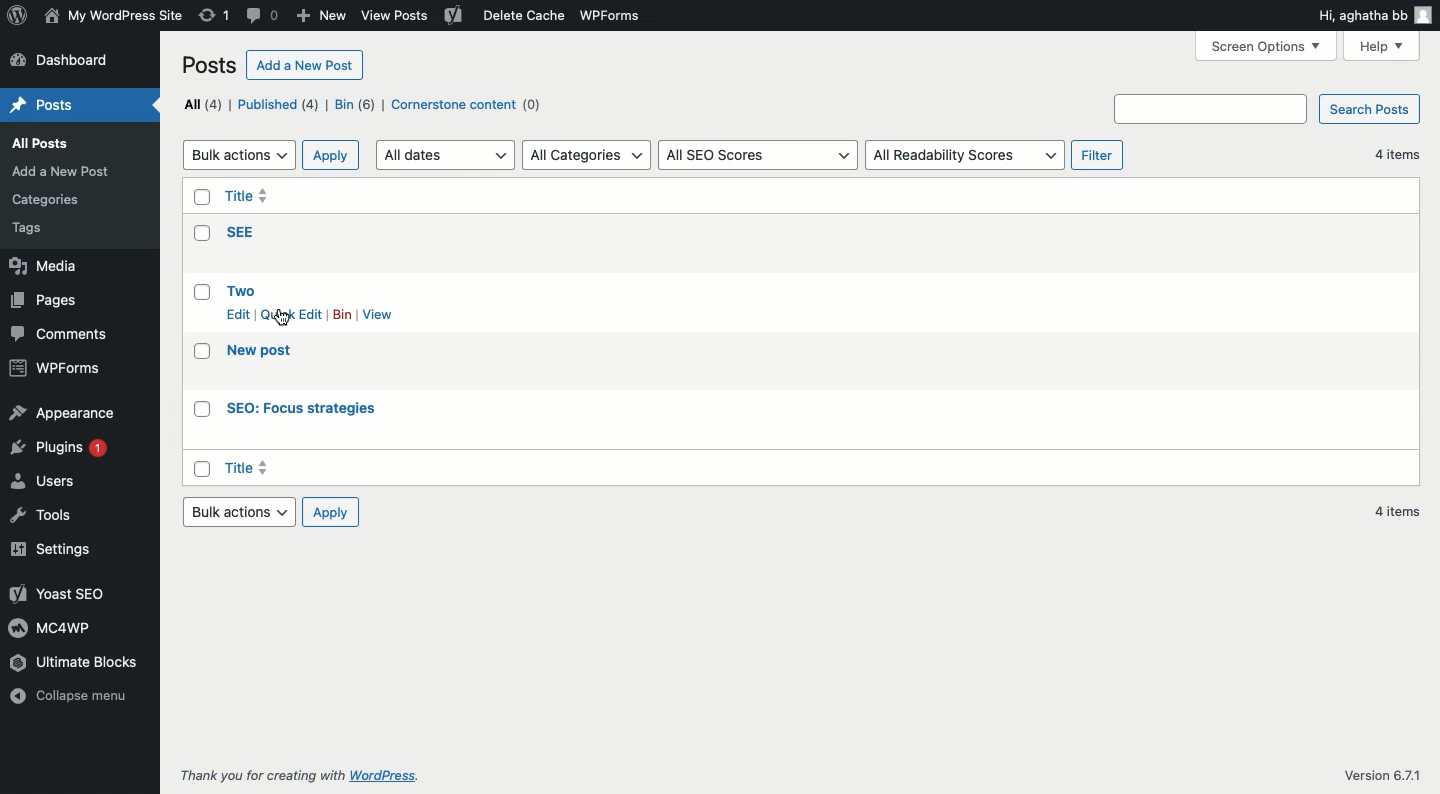 The width and height of the screenshot is (1440, 794). What do you see at coordinates (1267, 46) in the screenshot?
I see `Screen options` at bounding box center [1267, 46].